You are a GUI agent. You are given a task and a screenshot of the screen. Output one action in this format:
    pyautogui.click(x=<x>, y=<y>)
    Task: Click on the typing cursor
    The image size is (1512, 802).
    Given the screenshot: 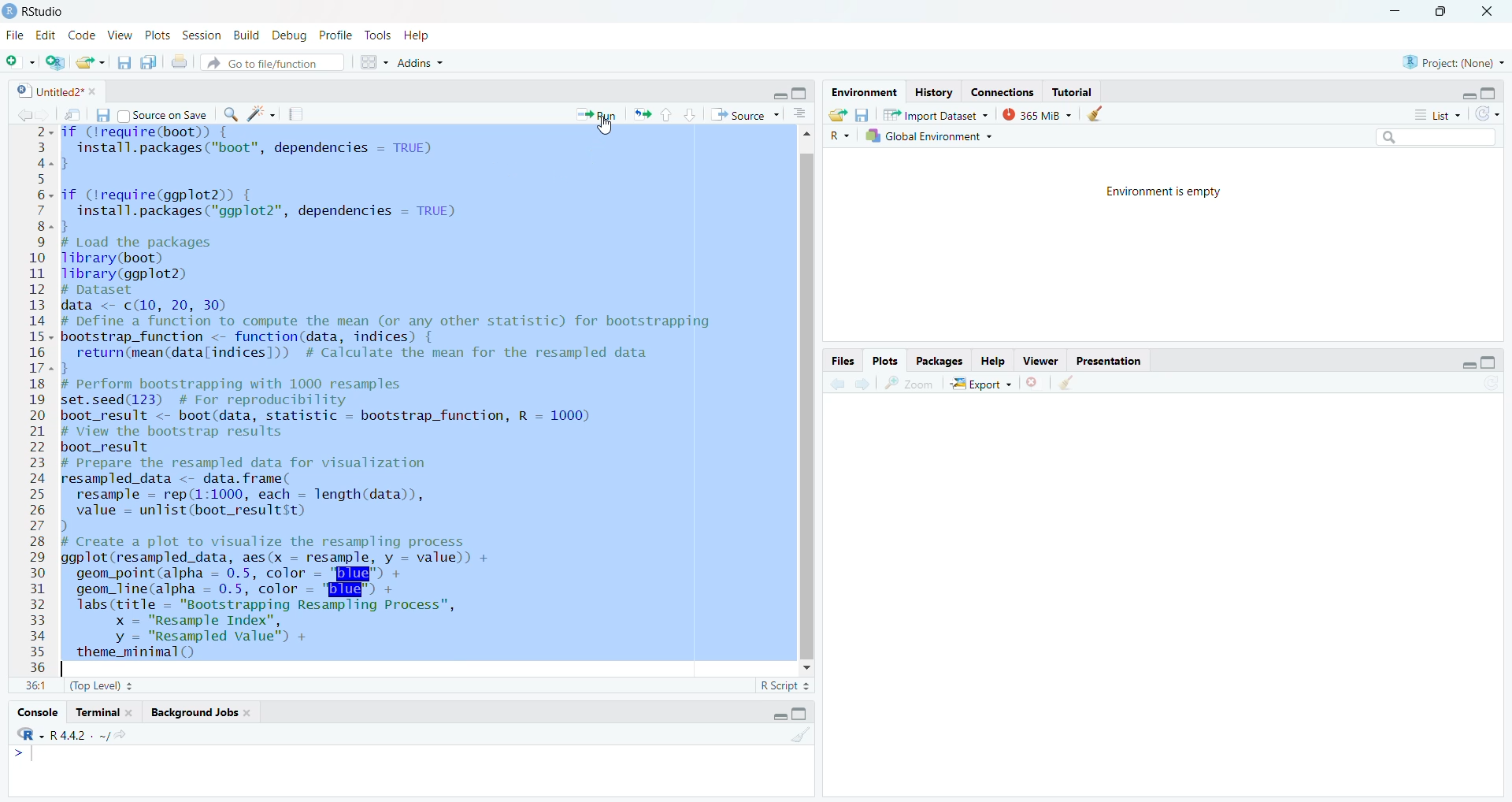 What is the action you would take?
    pyautogui.click(x=69, y=669)
    